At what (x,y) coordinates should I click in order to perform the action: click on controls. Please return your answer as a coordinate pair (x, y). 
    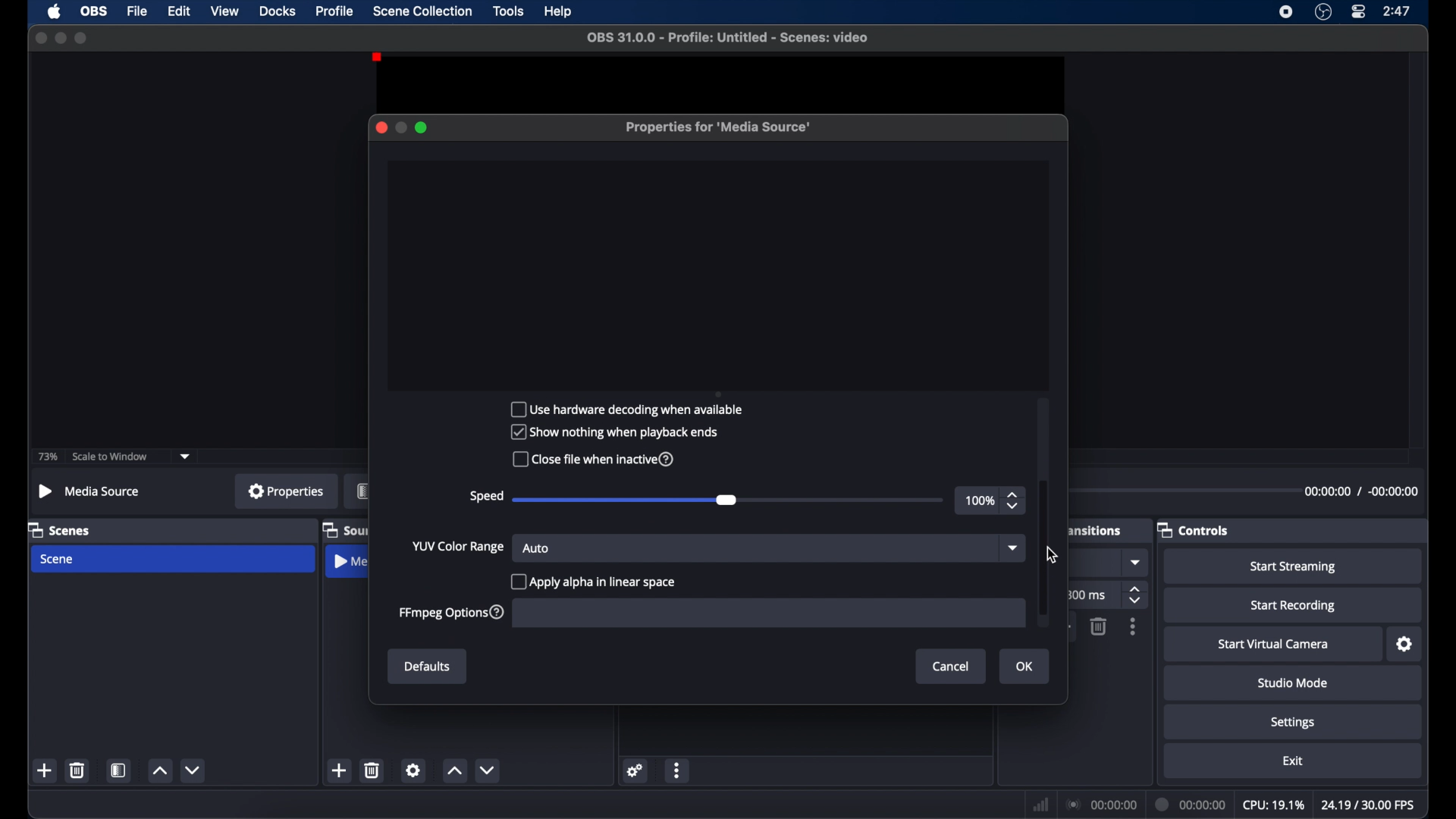
    Looking at the image, I should click on (1194, 529).